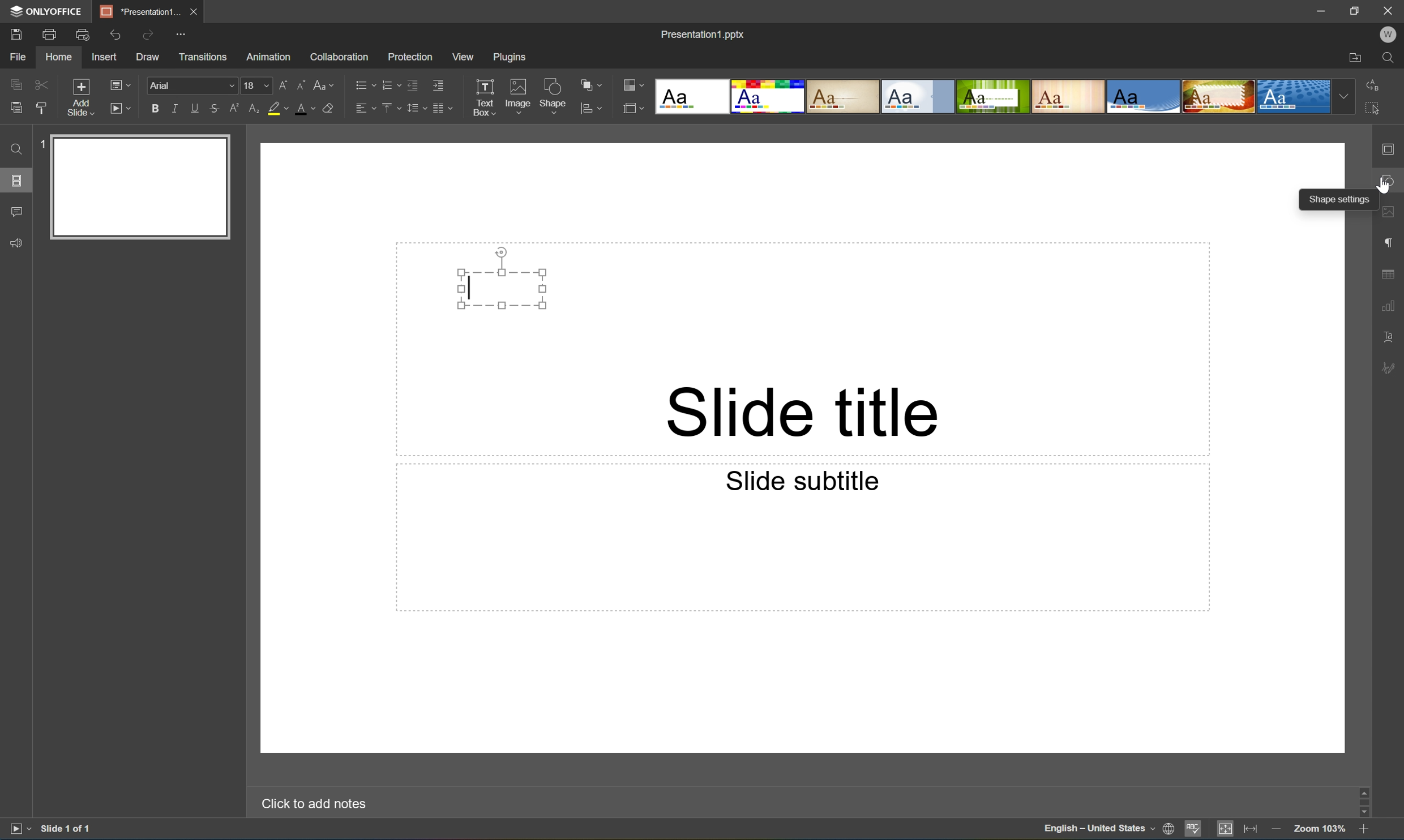  Describe the element at coordinates (1228, 829) in the screenshot. I see `Fit to Slide` at that location.